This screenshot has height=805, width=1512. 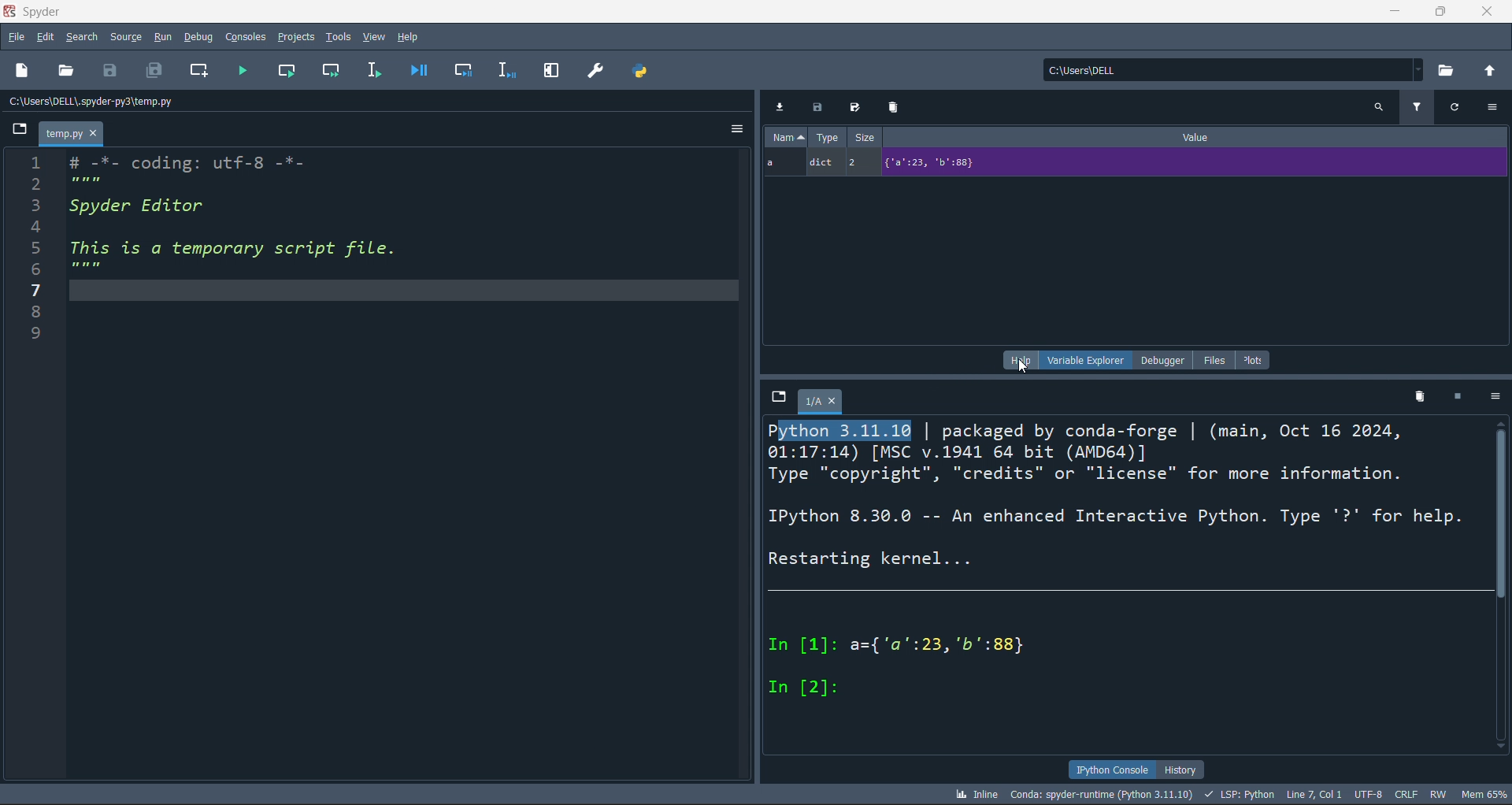 I want to click on LINE 7, COL 1, so click(x=1315, y=792).